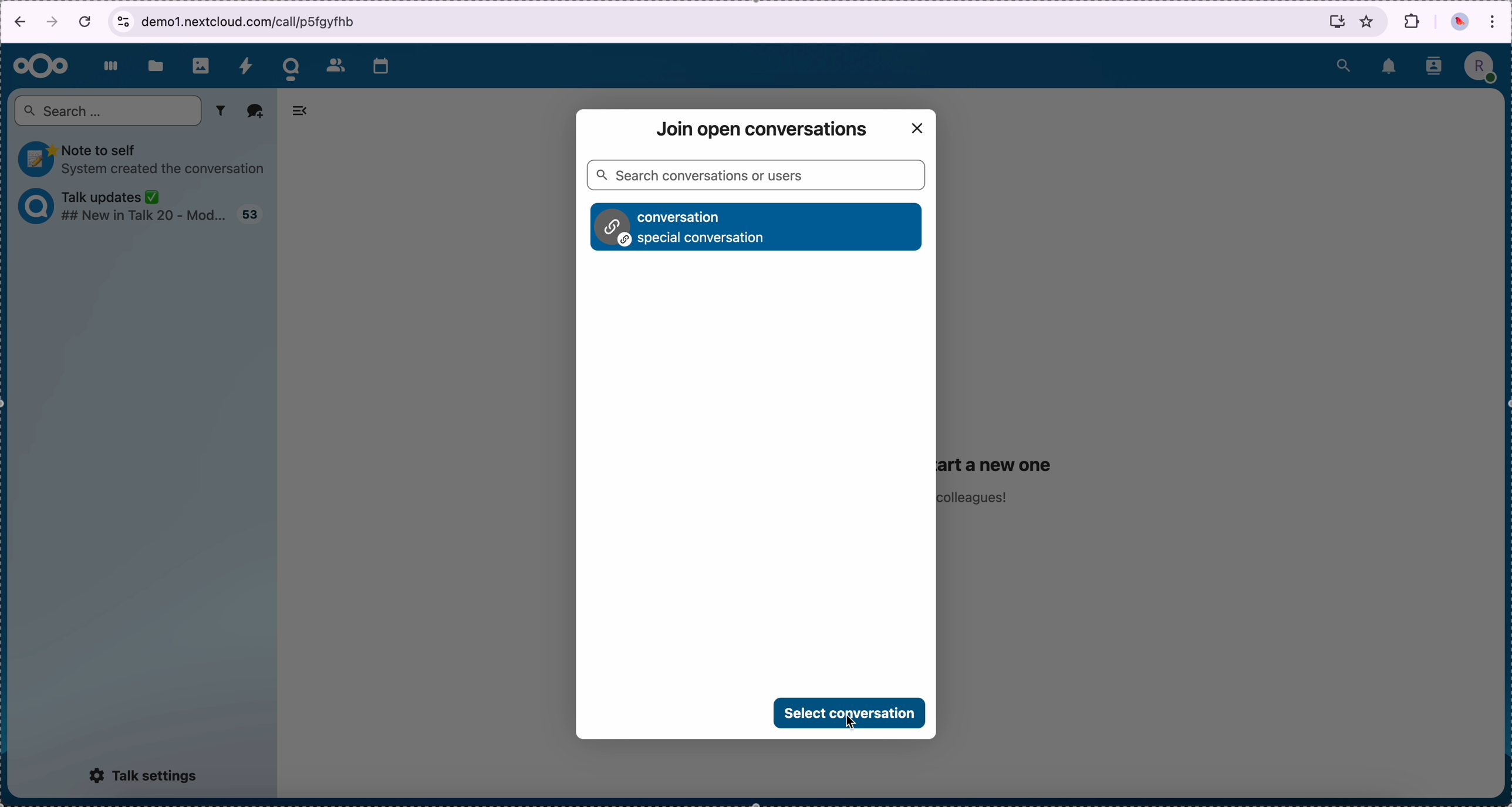  I want to click on cursor, so click(852, 726).